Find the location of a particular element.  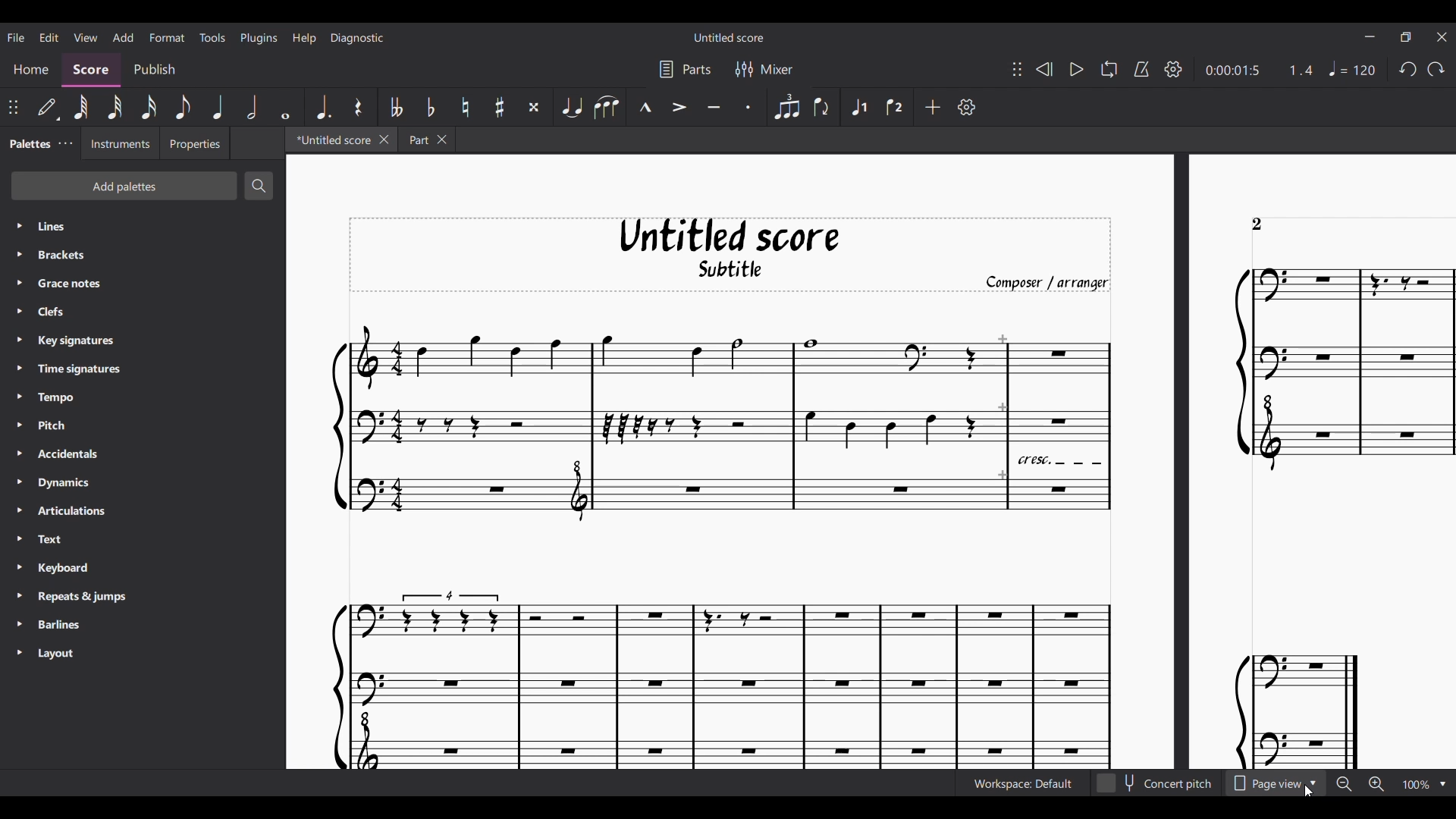

Page view options, highlighted by cursor is located at coordinates (1276, 783).